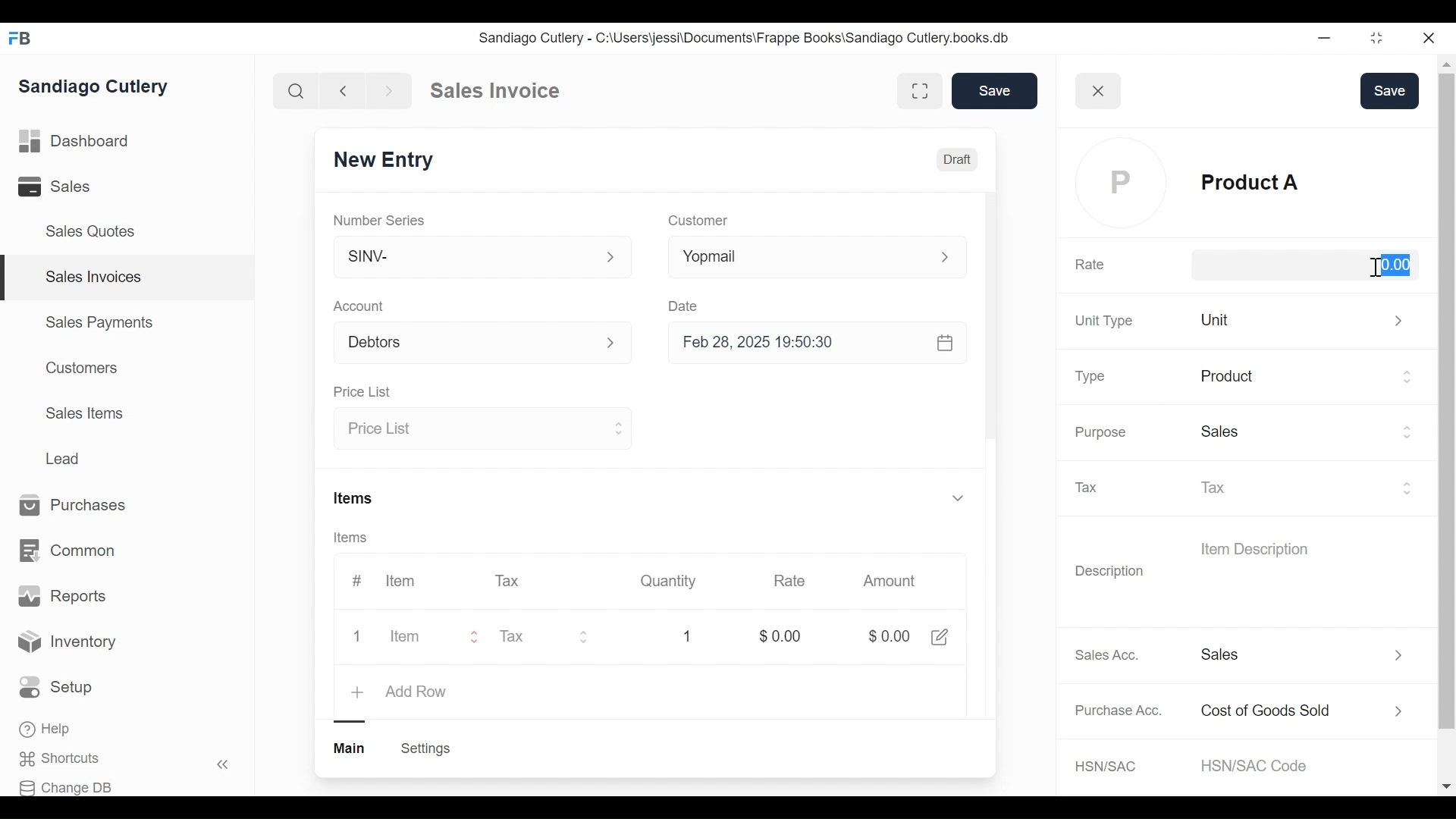 Image resolution: width=1456 pixels, height=819 pixels. I want to click on fullscreen, so click(919, 90).